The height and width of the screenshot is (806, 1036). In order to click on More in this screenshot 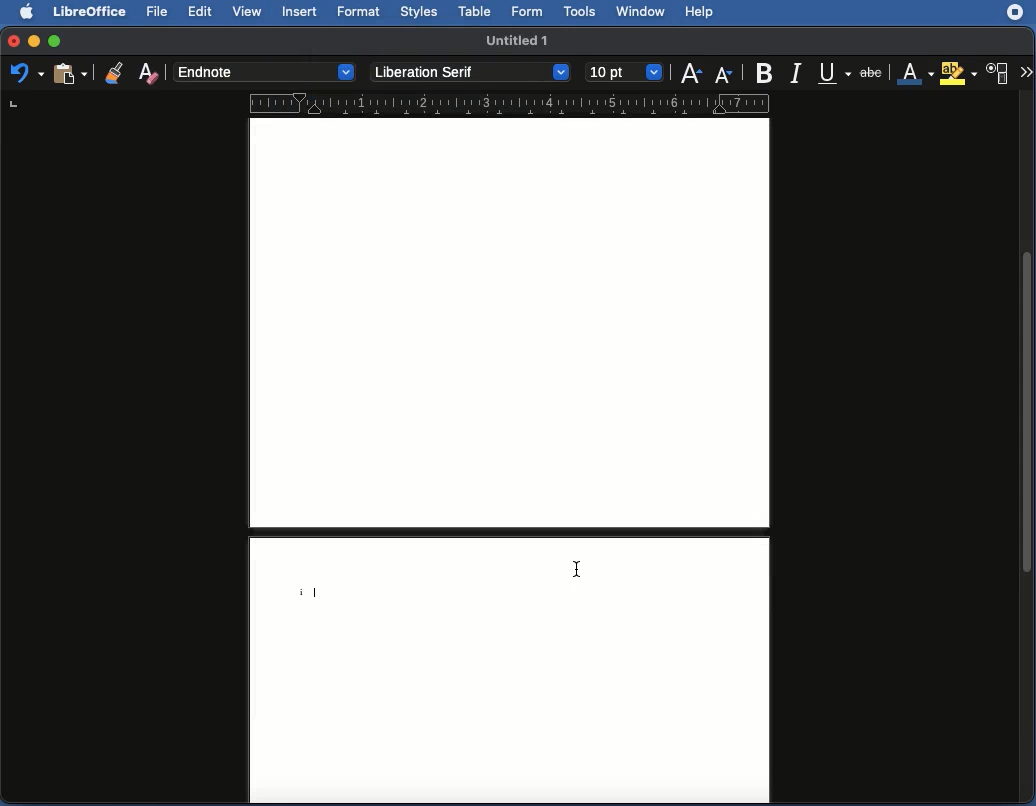, I will do `click(1025, 73)`.